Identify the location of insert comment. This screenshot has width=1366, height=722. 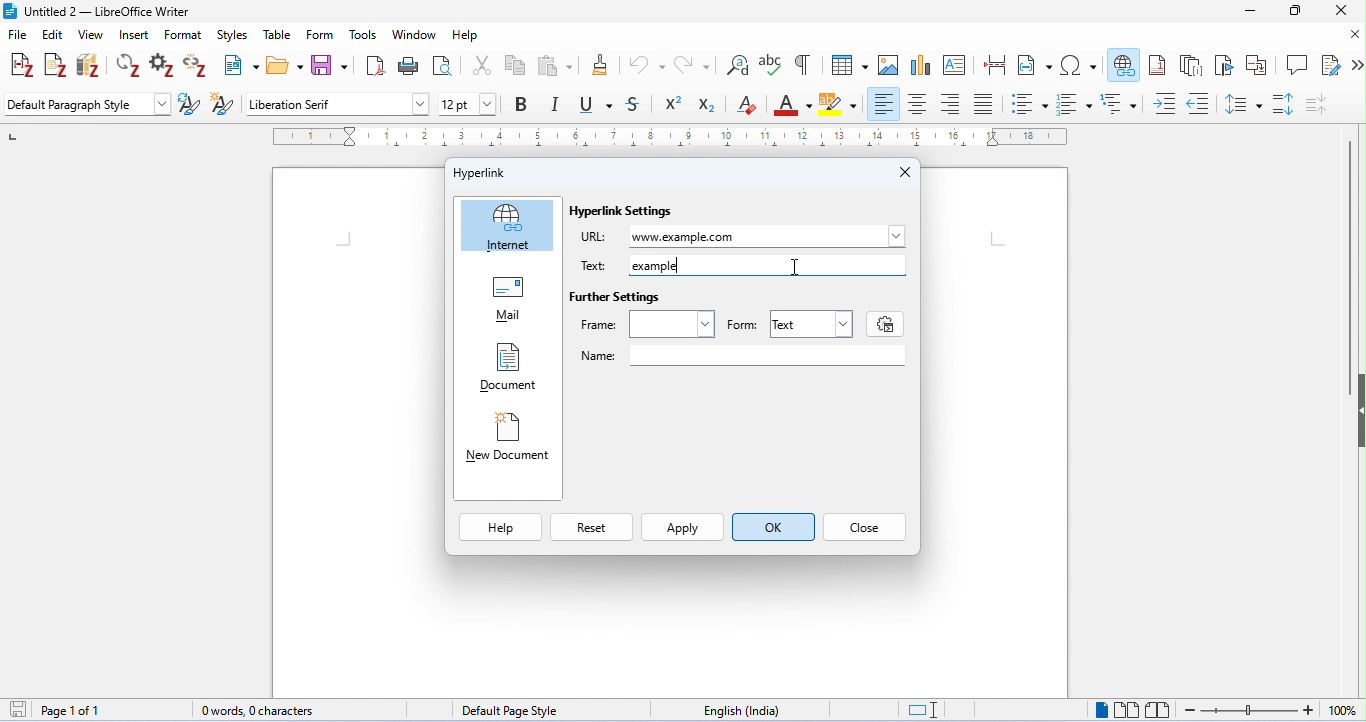
(1298, 65).